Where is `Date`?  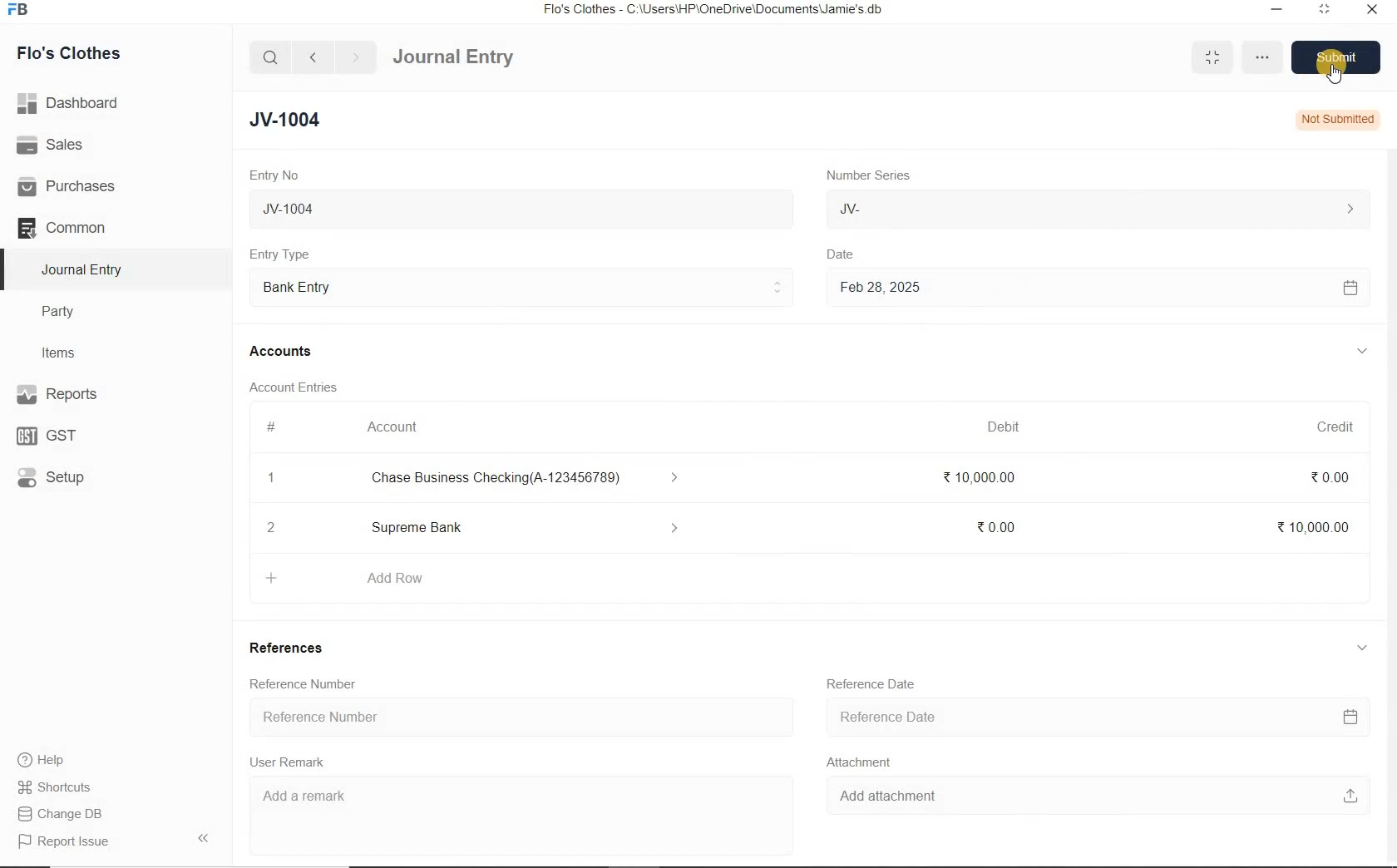 Date is located at coordinates (852, 250).